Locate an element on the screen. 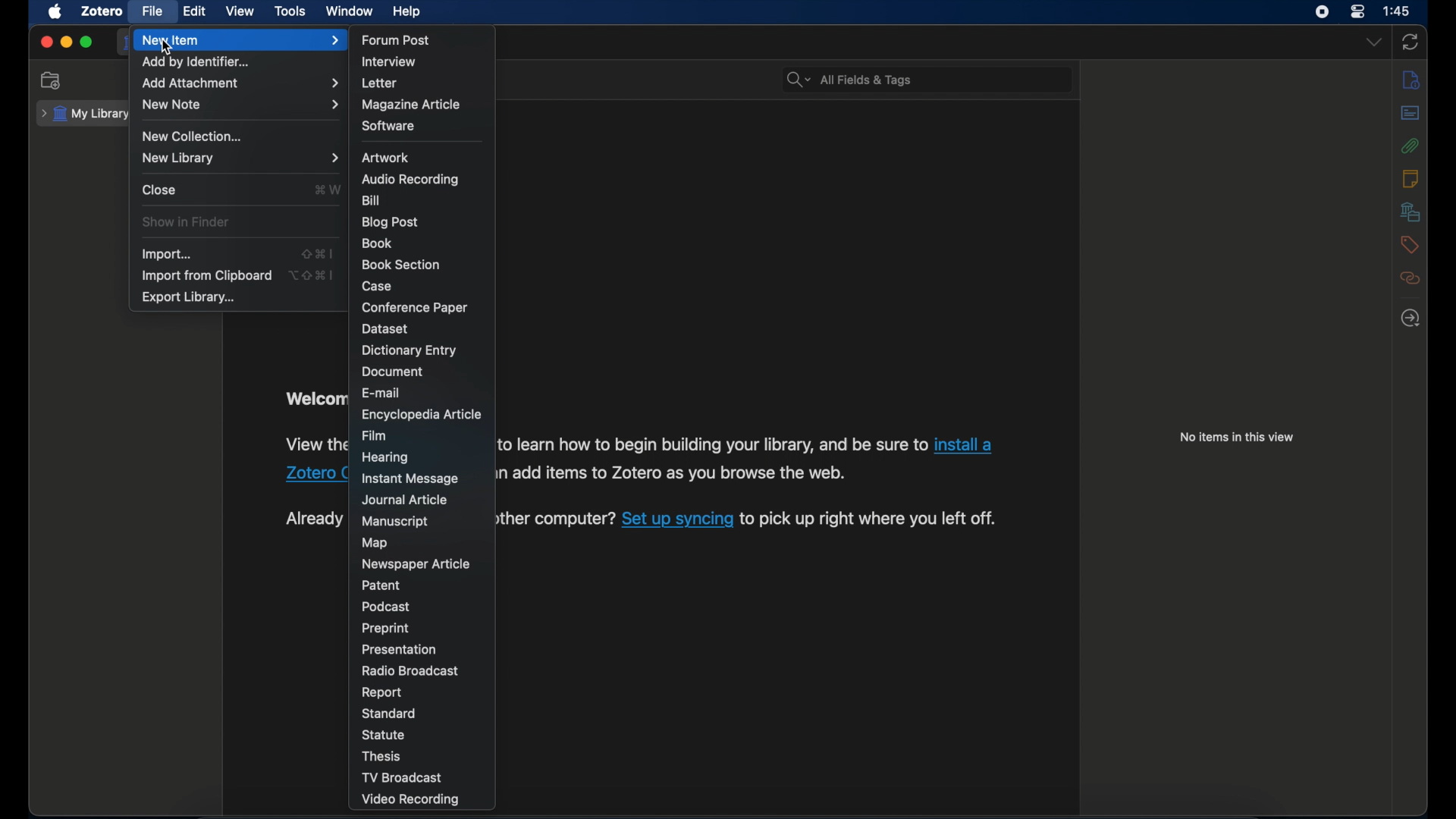  newspaper article is located at coordinates (415, 564).